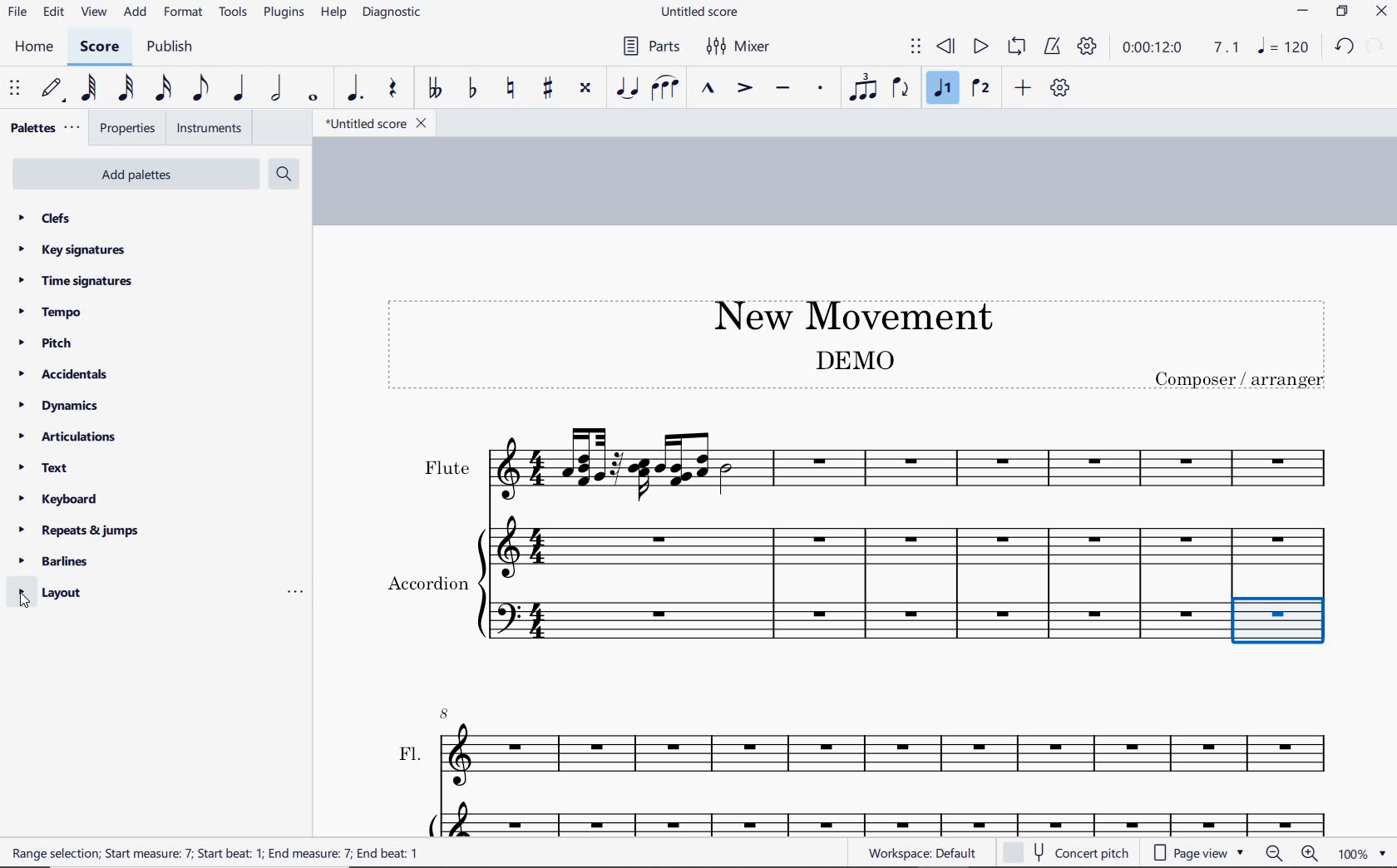 This screenshot has height=868, width=1397. I want to click on Instrument: Accordion, so click(912, 584).